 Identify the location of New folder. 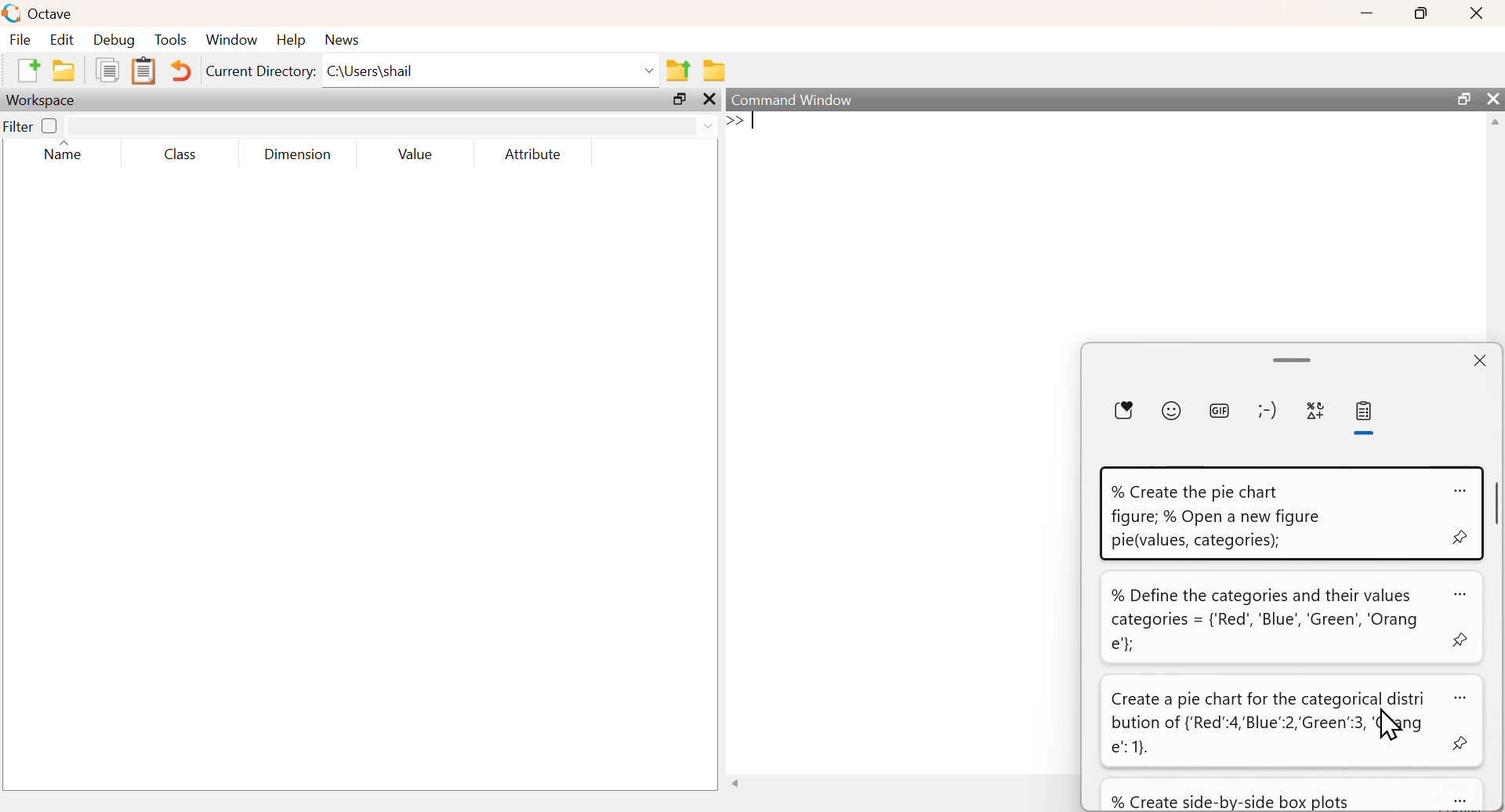
(65, 70).